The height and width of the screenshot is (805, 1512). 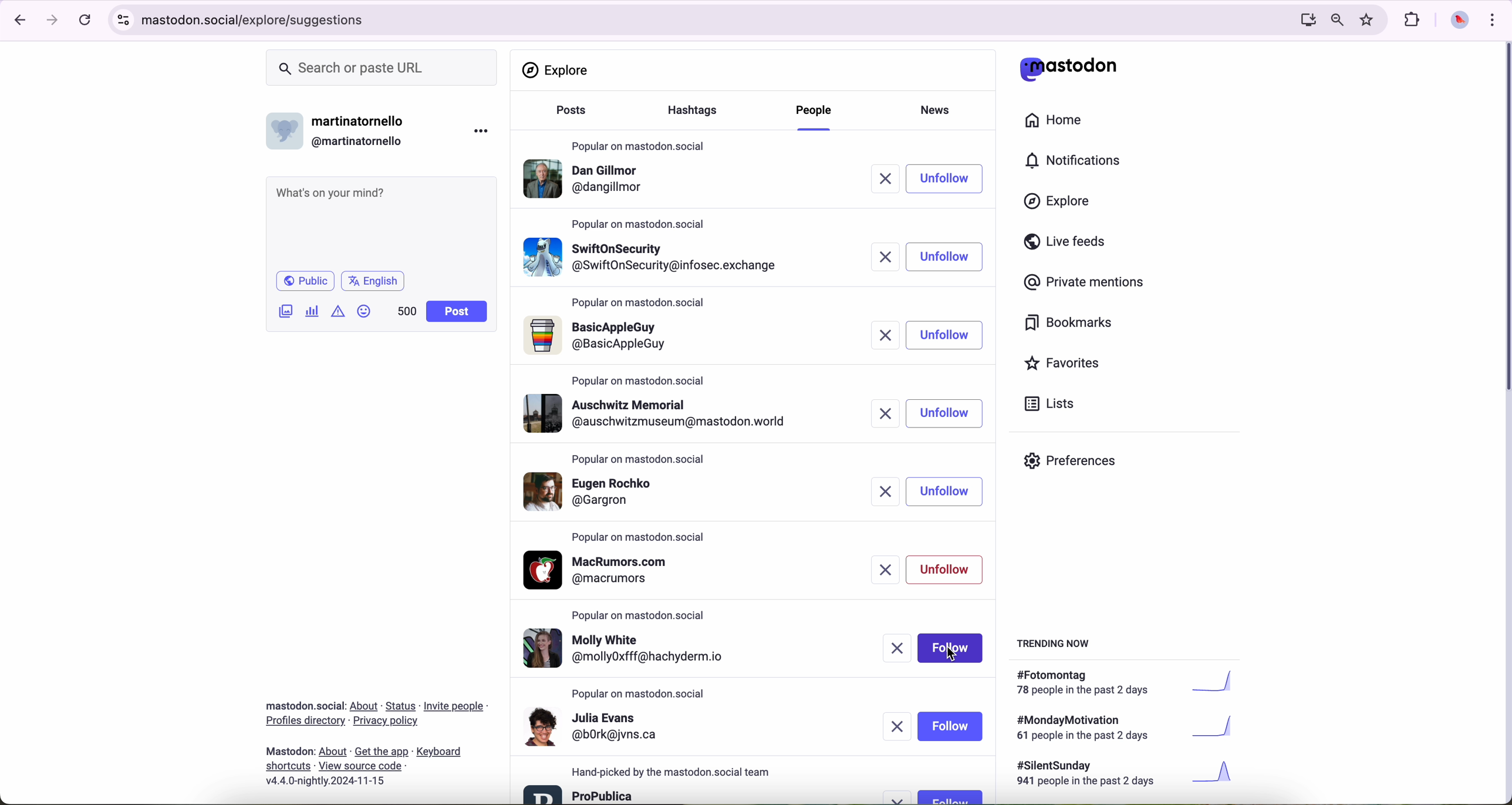 What do you see at coordinates (588, 181) in the screenshot?
I see `profile` at bounding box center [588, 181].